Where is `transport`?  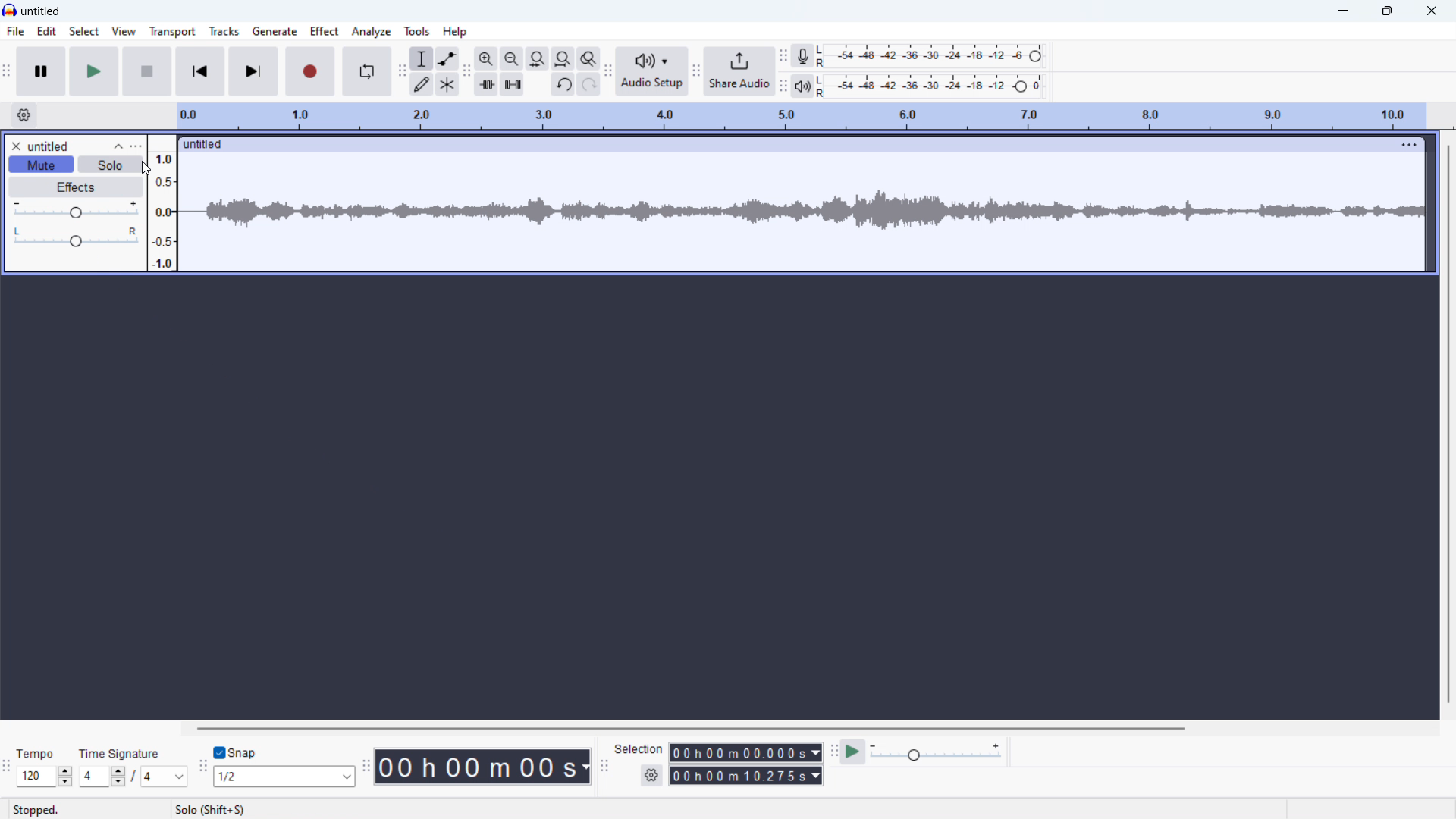 transport is located at coordinates (172, 32).